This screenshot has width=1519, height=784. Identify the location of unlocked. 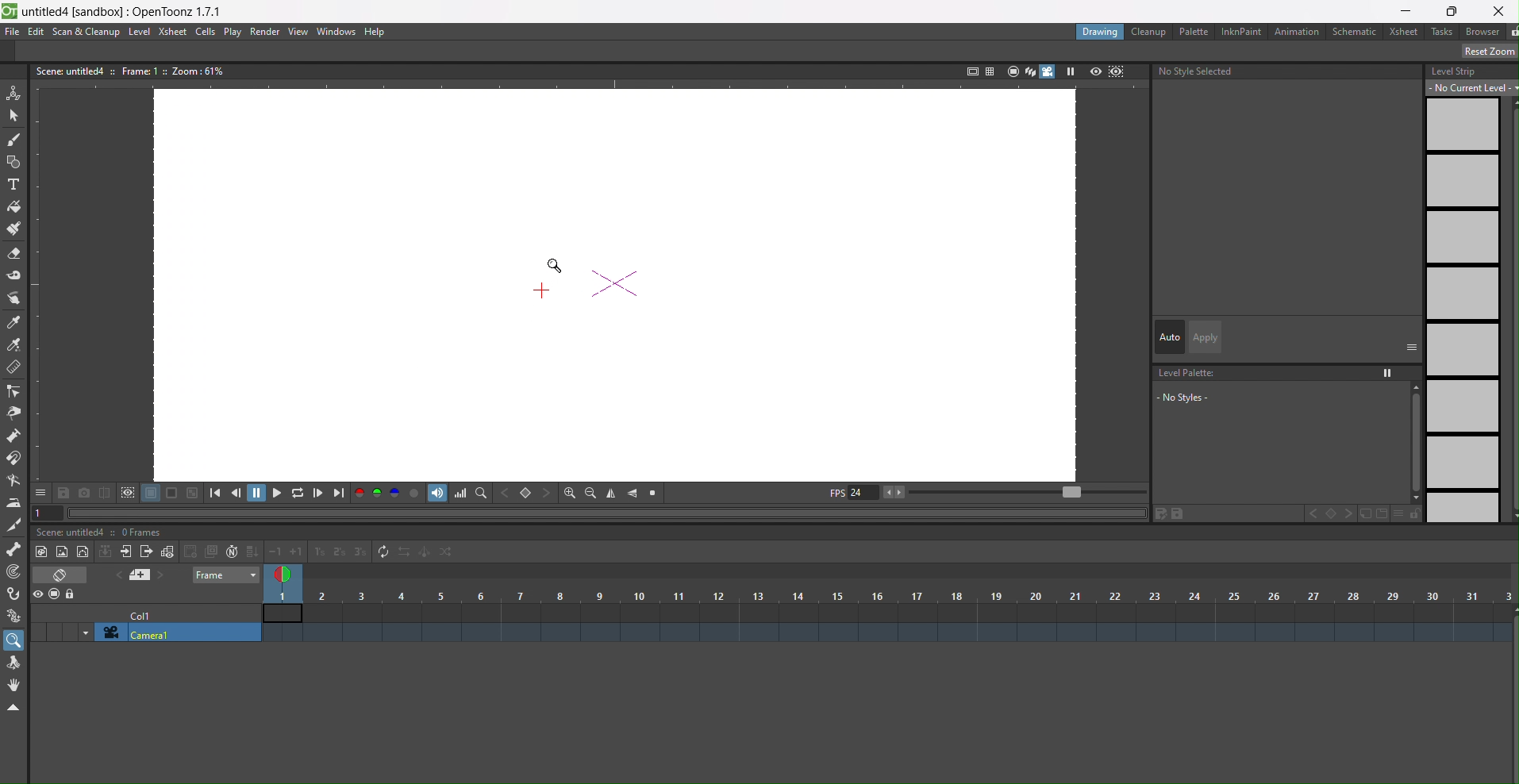
(1509, 32).